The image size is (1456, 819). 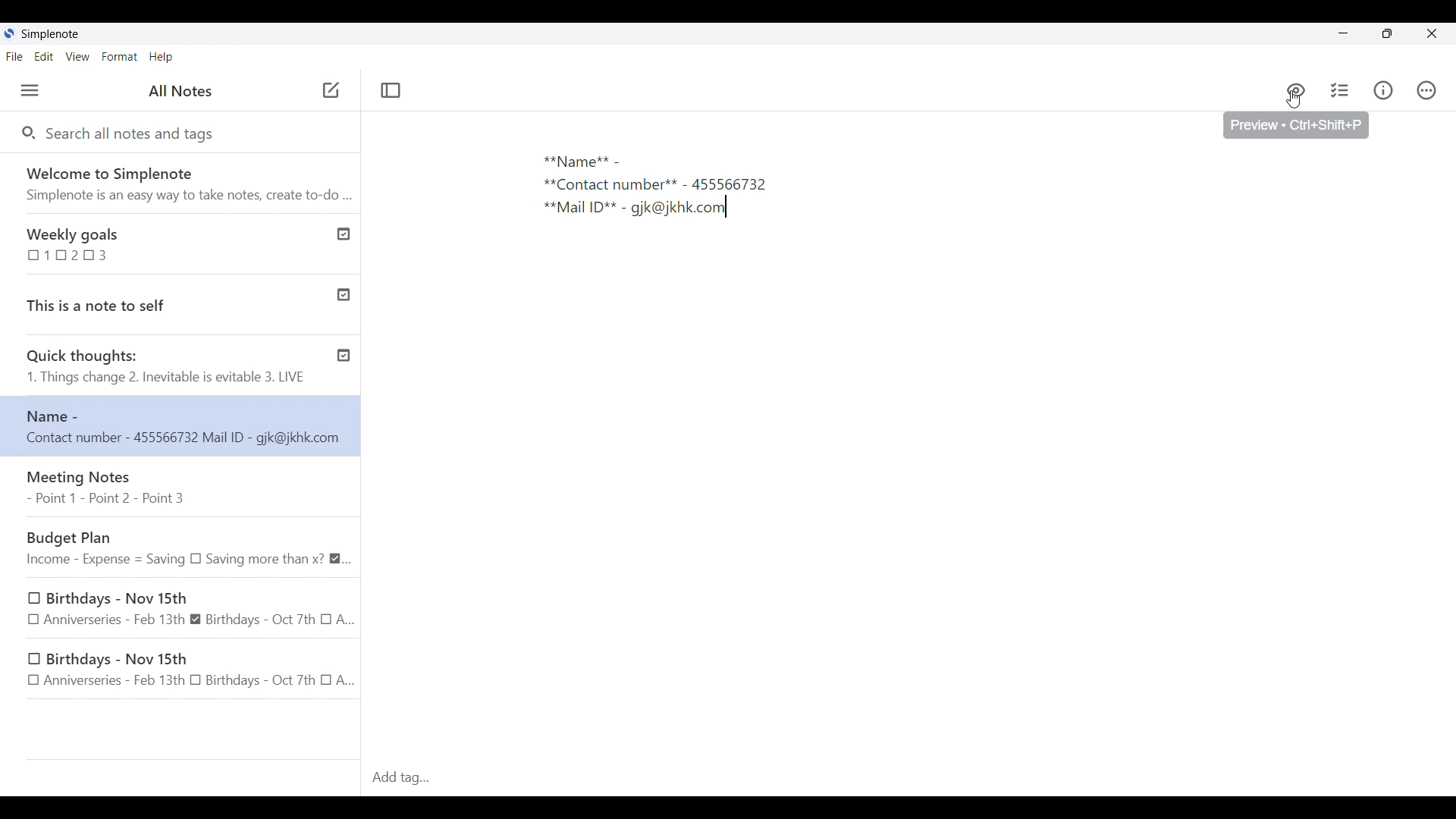 What do you see at coordinates (1294, 100) in the screenshot?
I see `Cursor clicking on Markdown preview` at bounding box center [1294, 100].